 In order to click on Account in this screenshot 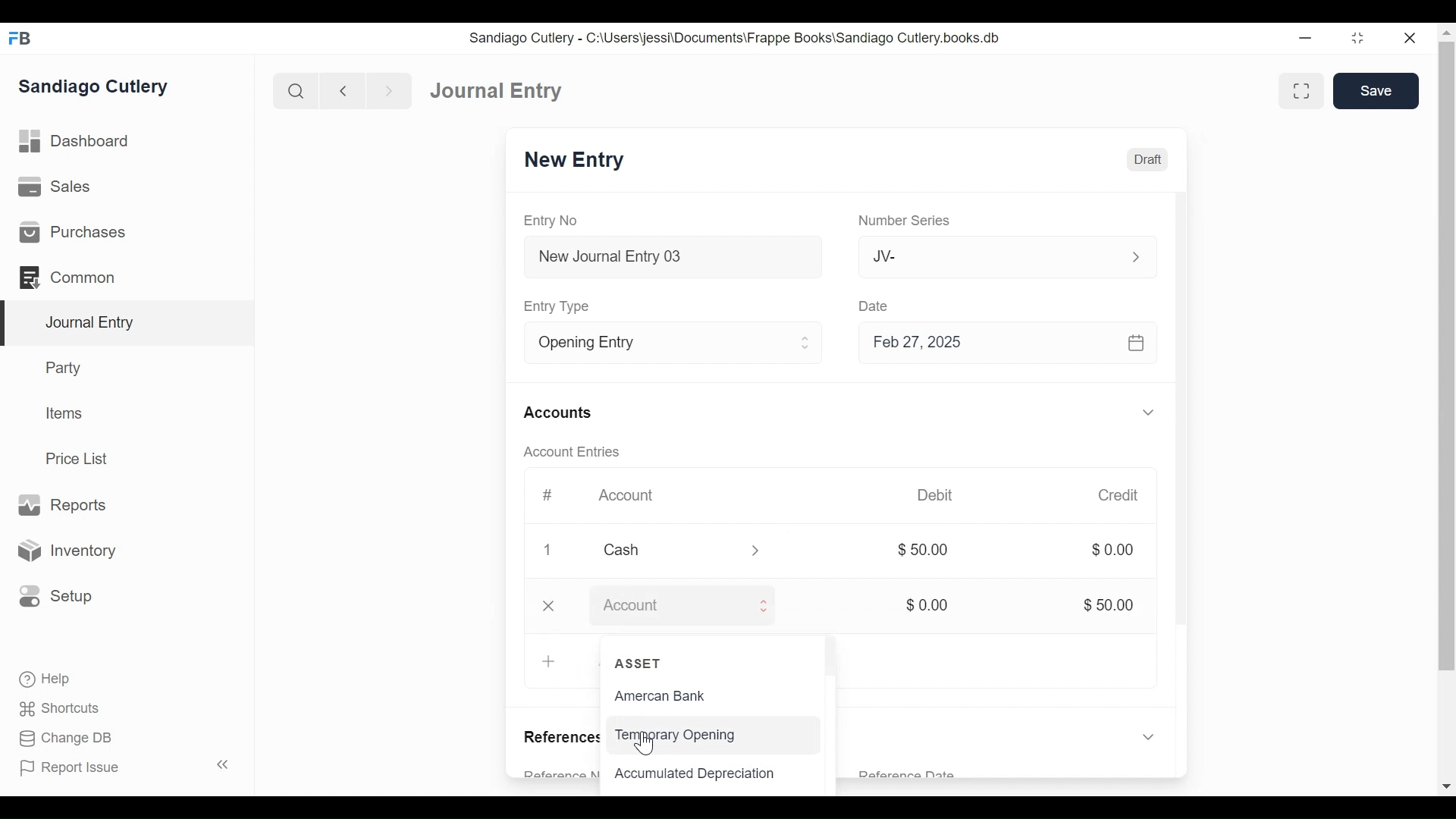, I will do `click(670, 607)`.